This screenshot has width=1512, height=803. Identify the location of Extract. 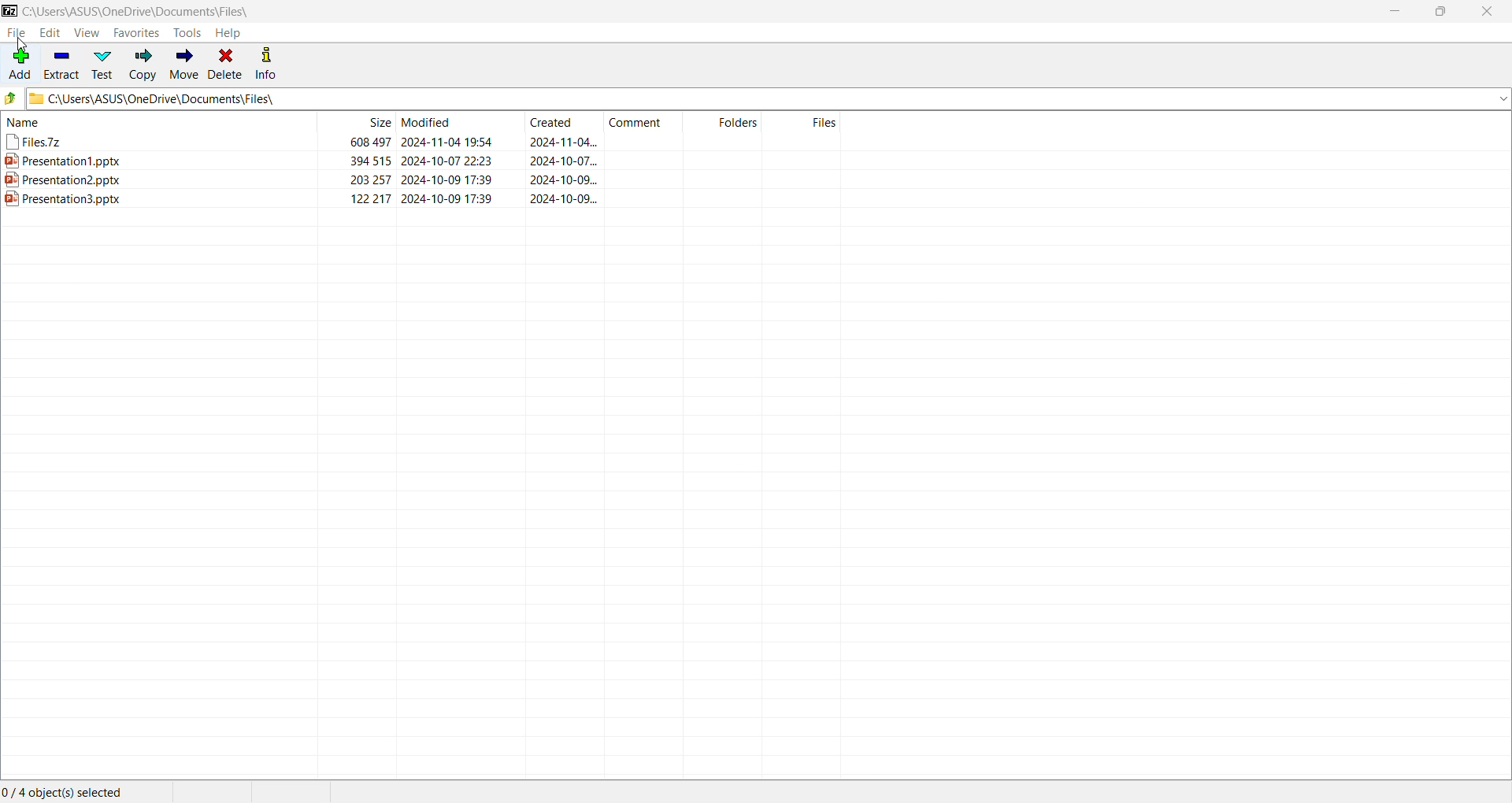
(62, 65).